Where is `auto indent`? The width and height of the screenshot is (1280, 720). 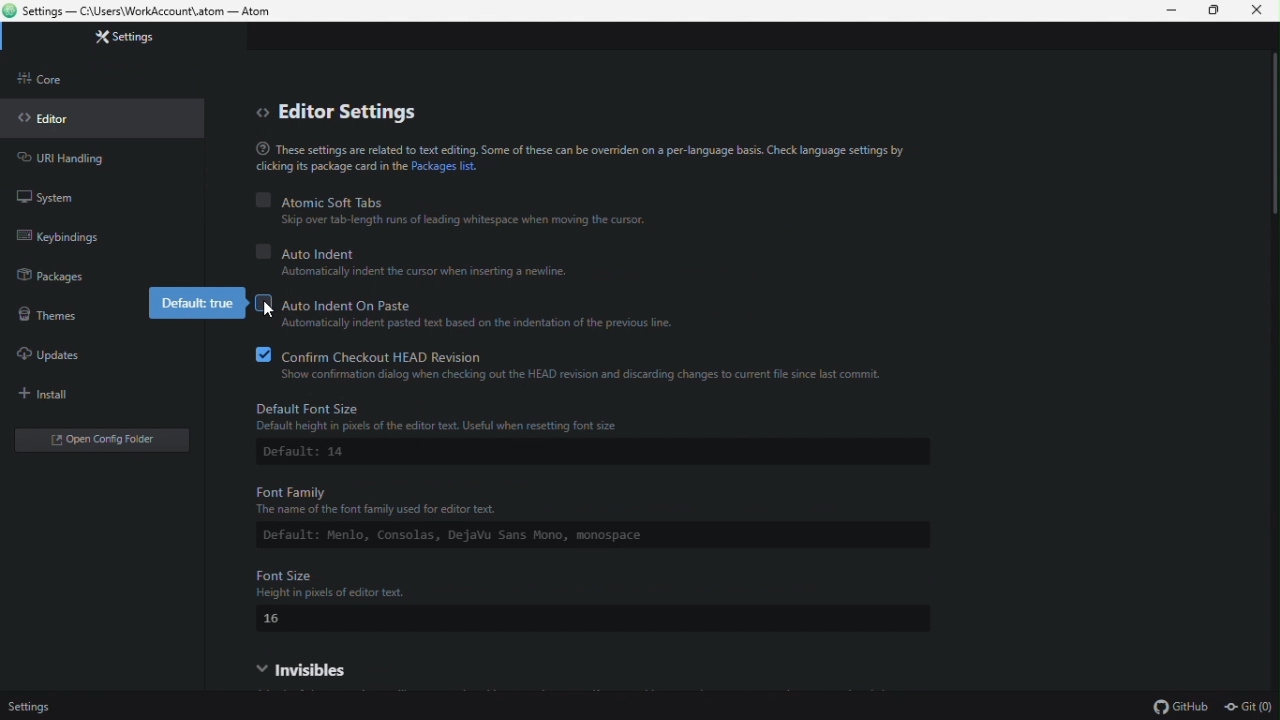 auto indent is located at coordinates (434, 251).